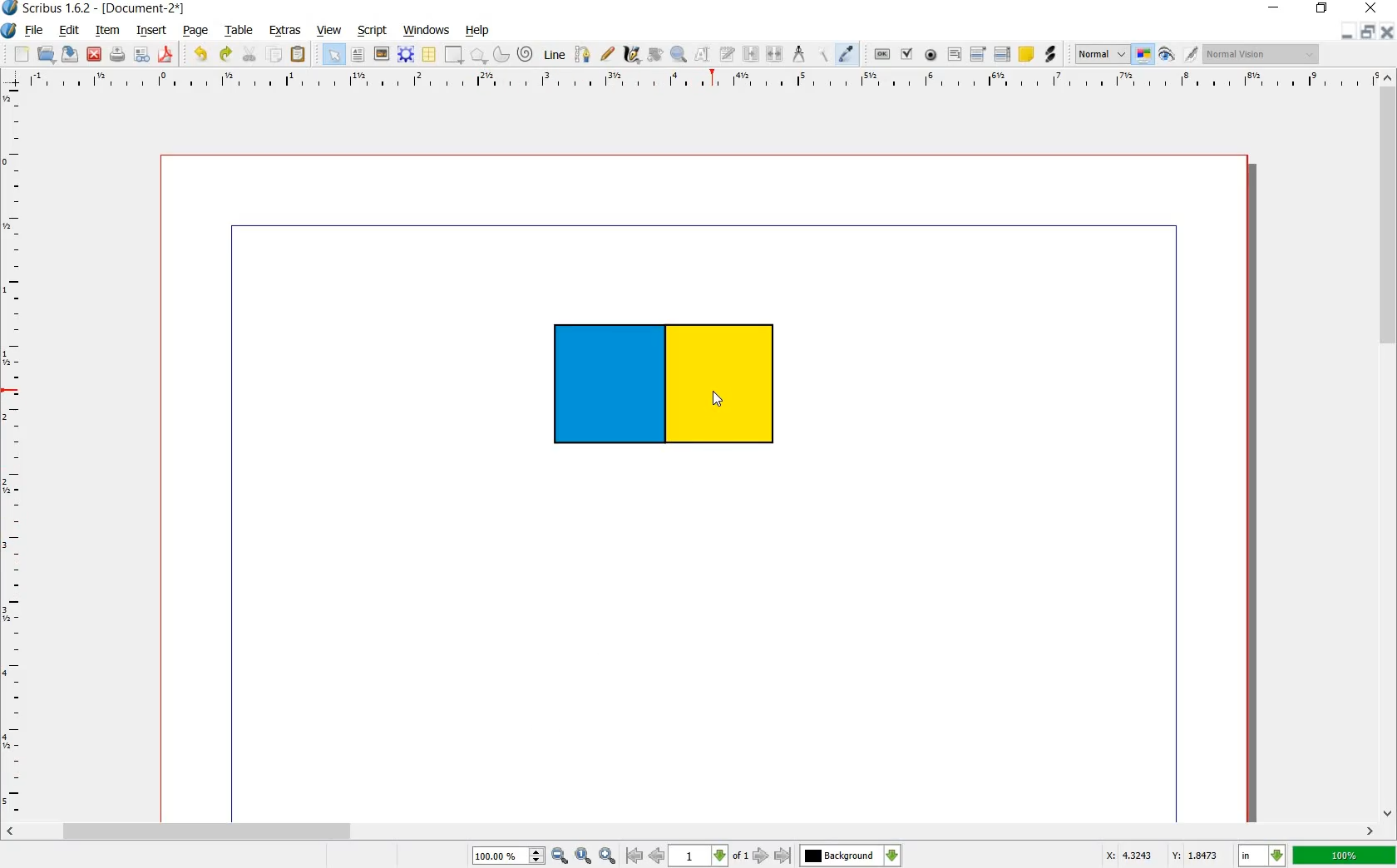  I want to click on eye drop, so click(847, 53).